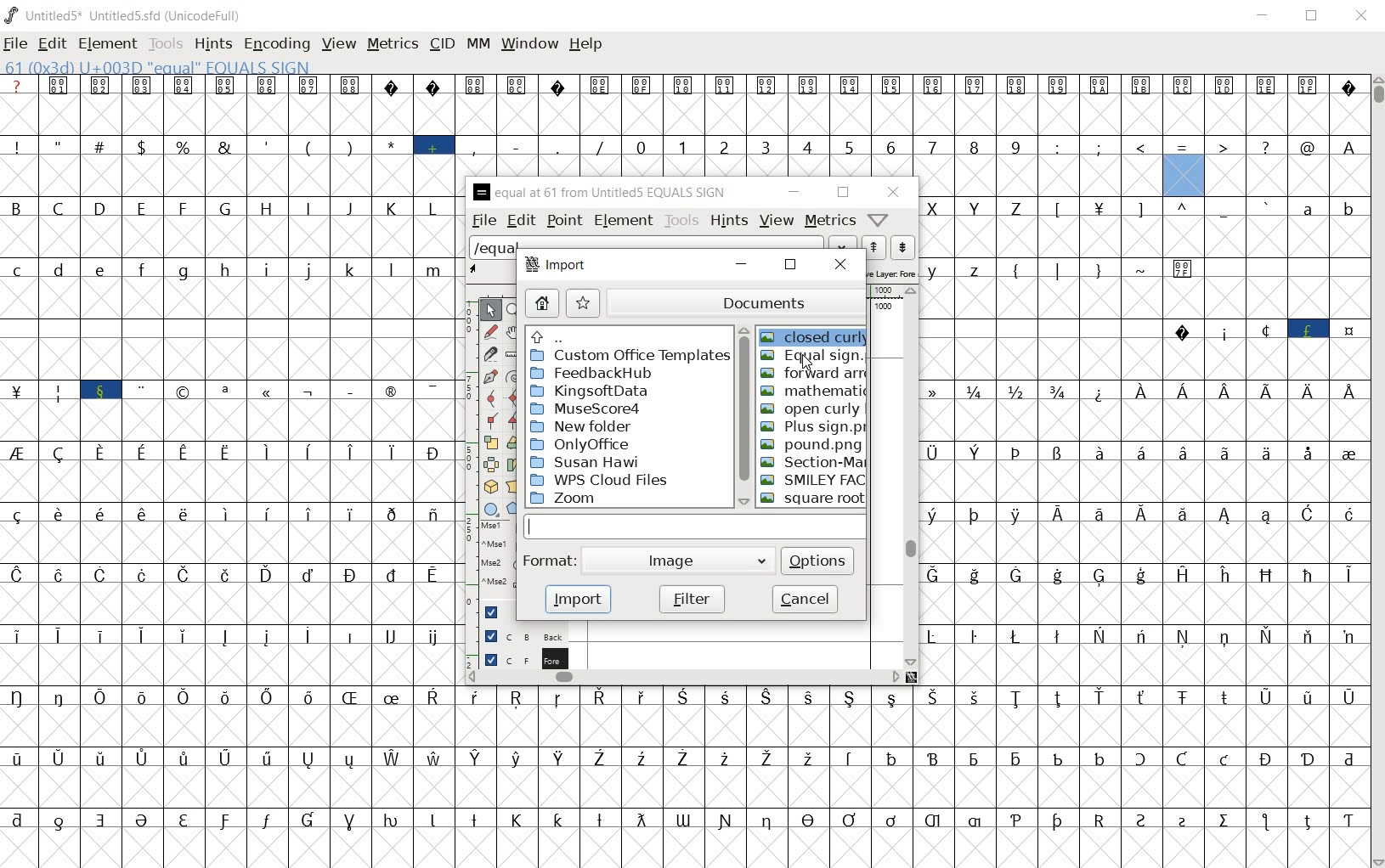  What do you see at coordinates (582, 426) in the screenshot?
I see `new folder` at bounding box center [582, 426].